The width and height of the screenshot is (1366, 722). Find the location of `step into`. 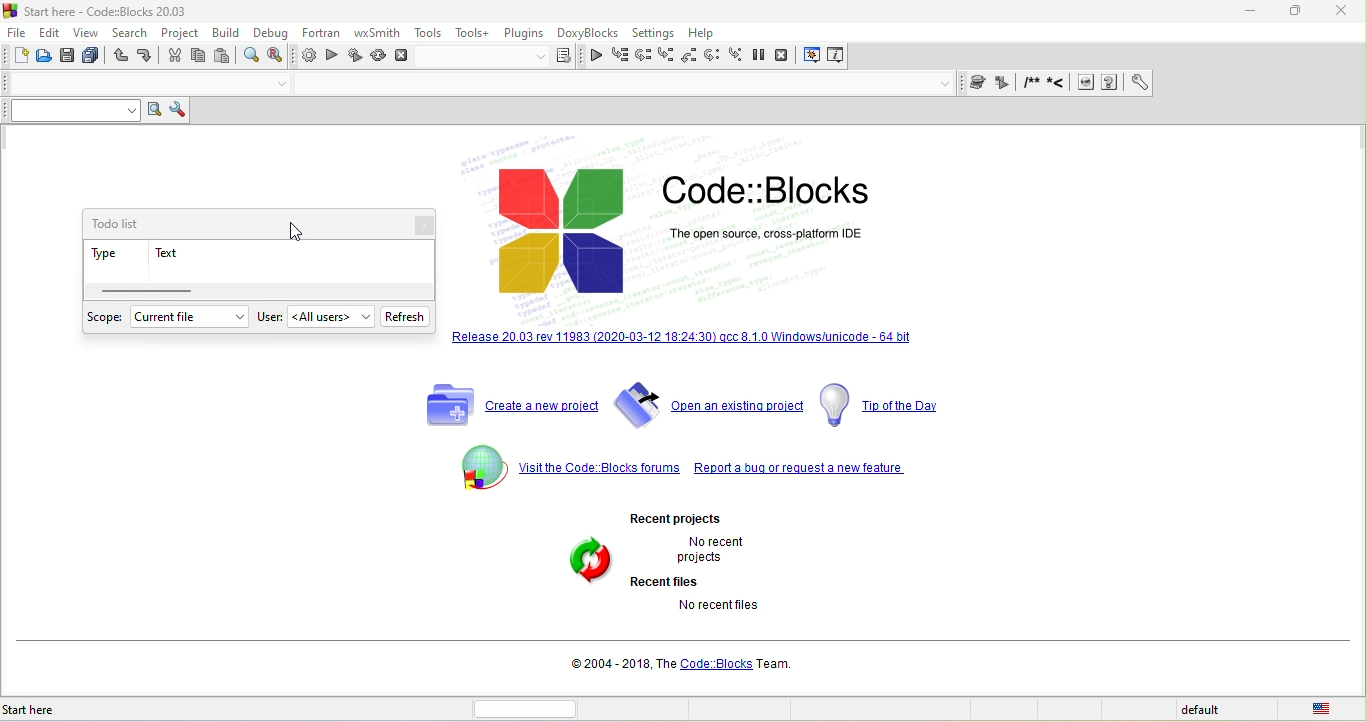

step into is located at coordinates (666, 56).